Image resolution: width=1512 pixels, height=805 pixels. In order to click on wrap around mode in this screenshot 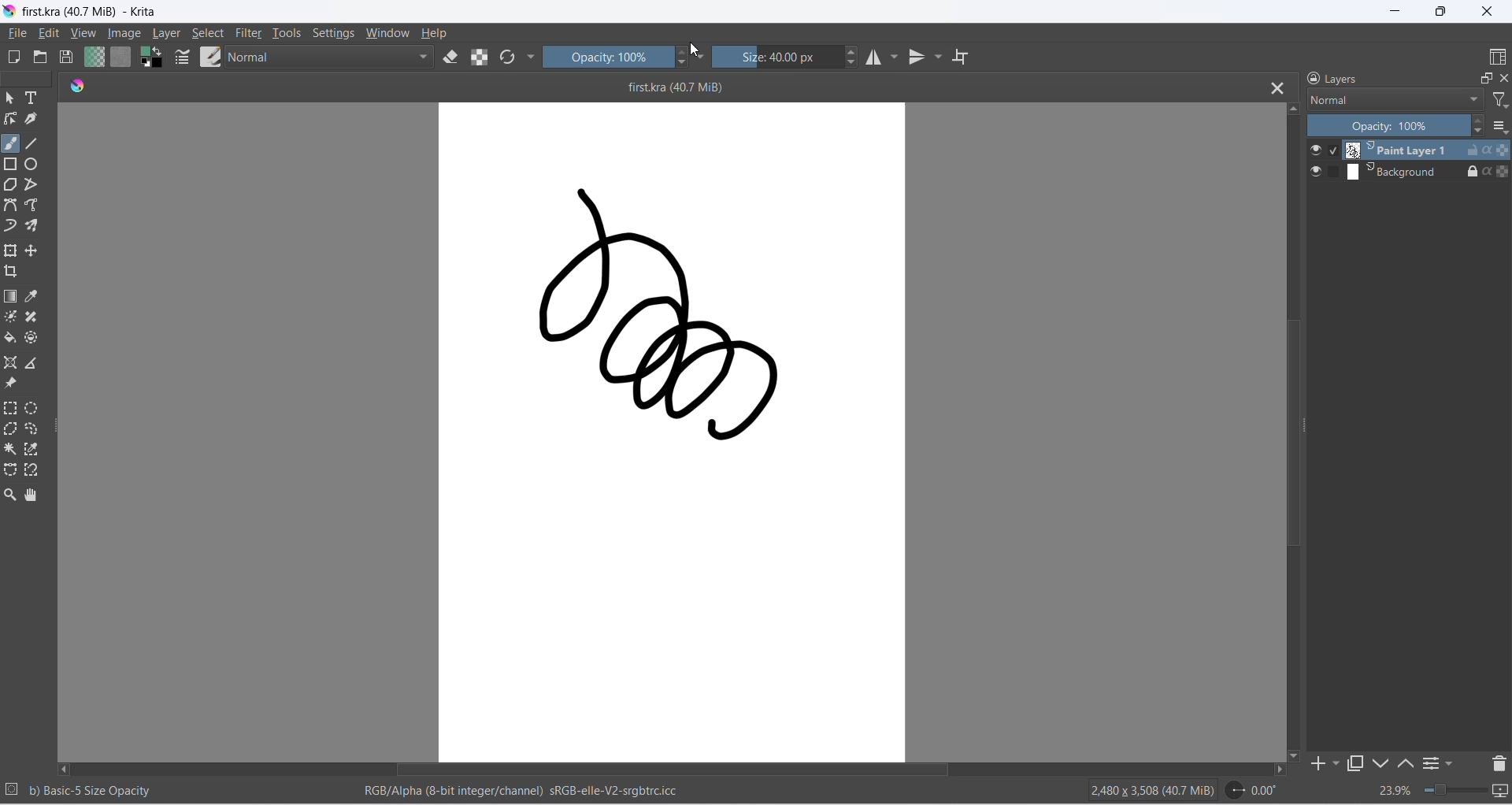, I will do `click(961, 57)`.